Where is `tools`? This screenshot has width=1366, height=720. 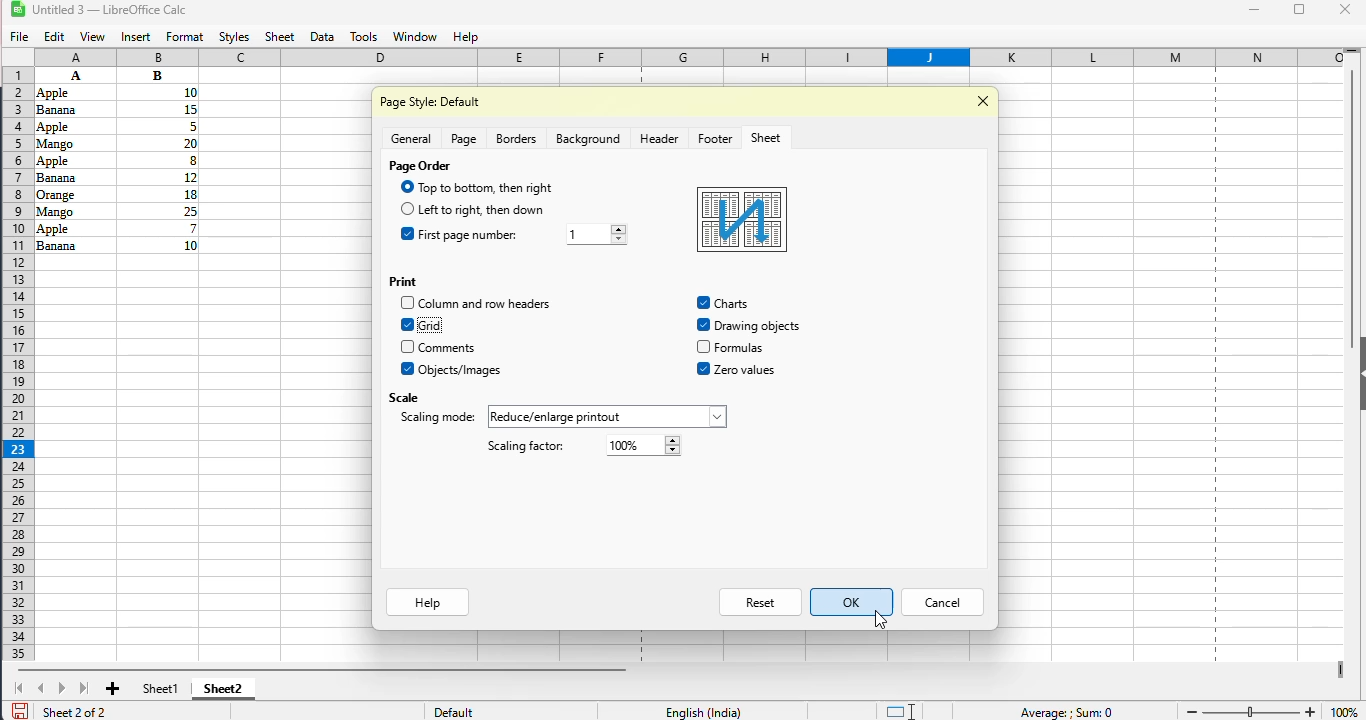
tools is located at coordinates (363, 37).